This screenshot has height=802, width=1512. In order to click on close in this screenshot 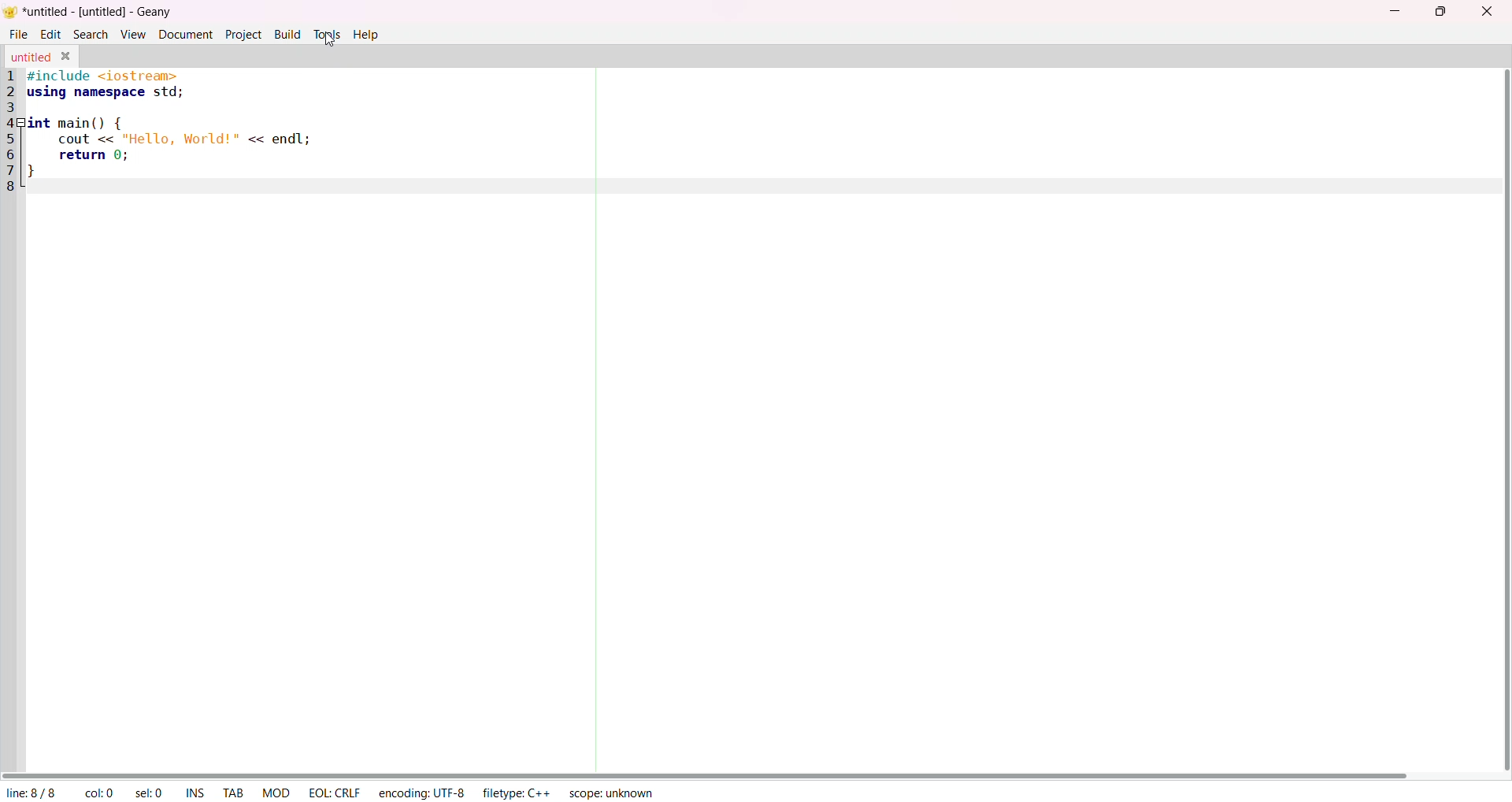, I will do `click(1484, 13)`.